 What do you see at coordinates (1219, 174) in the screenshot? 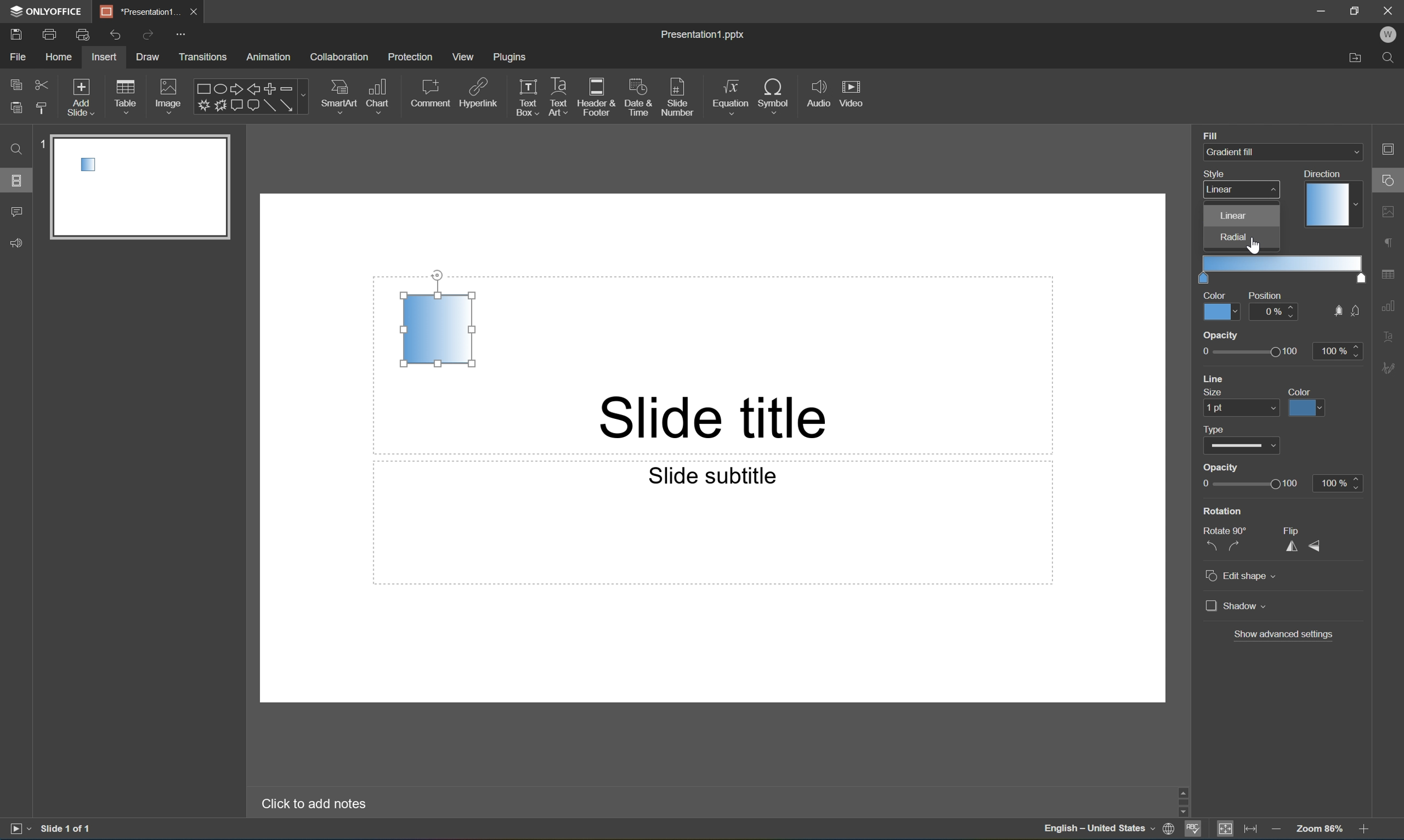
I see `style` at bounding box center [1219, 174].